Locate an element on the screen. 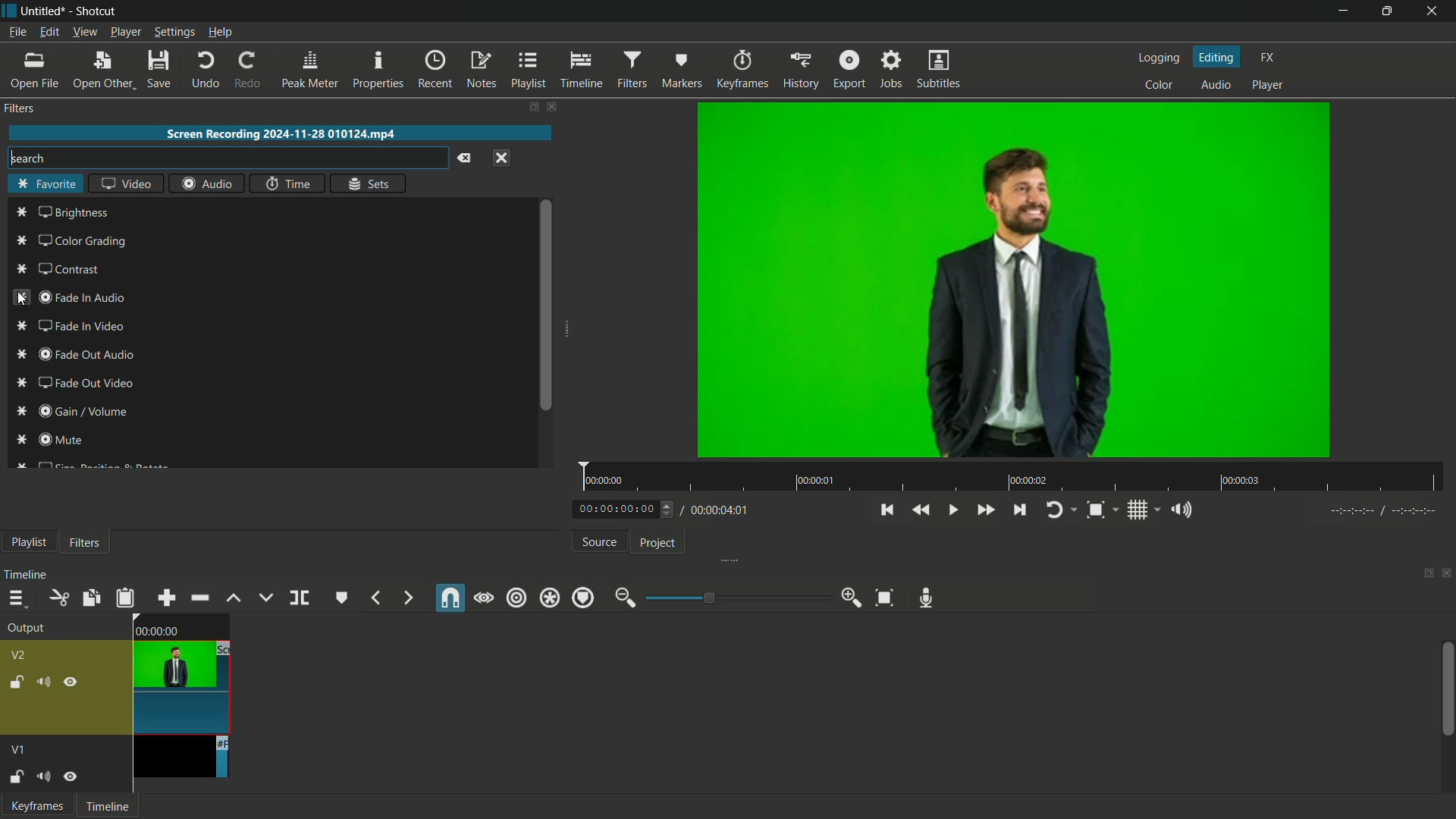  shotcut is located at coordinates (96, 11).